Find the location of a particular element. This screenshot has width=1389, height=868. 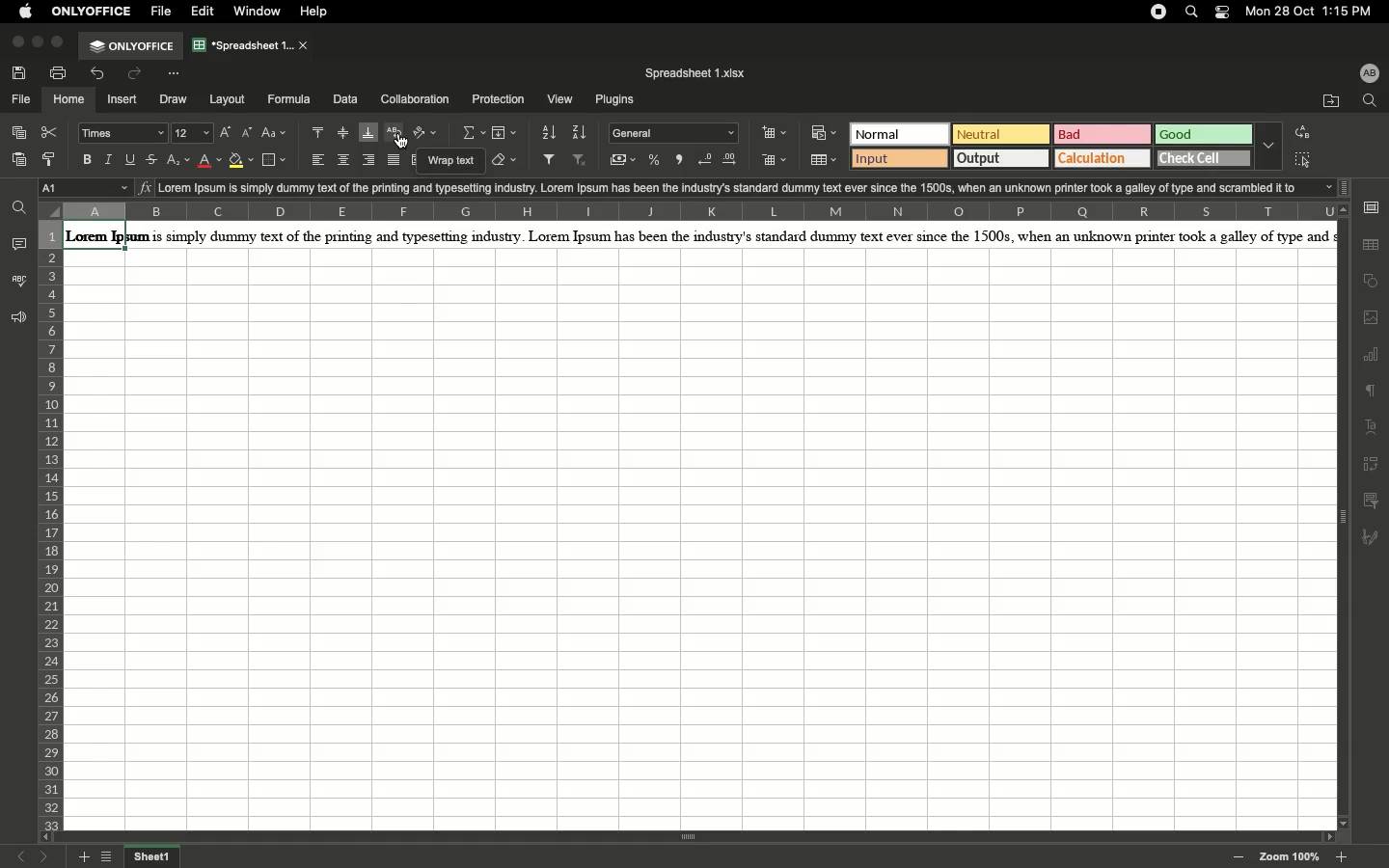

Conditional formatting is located at coordinates (824, 132).